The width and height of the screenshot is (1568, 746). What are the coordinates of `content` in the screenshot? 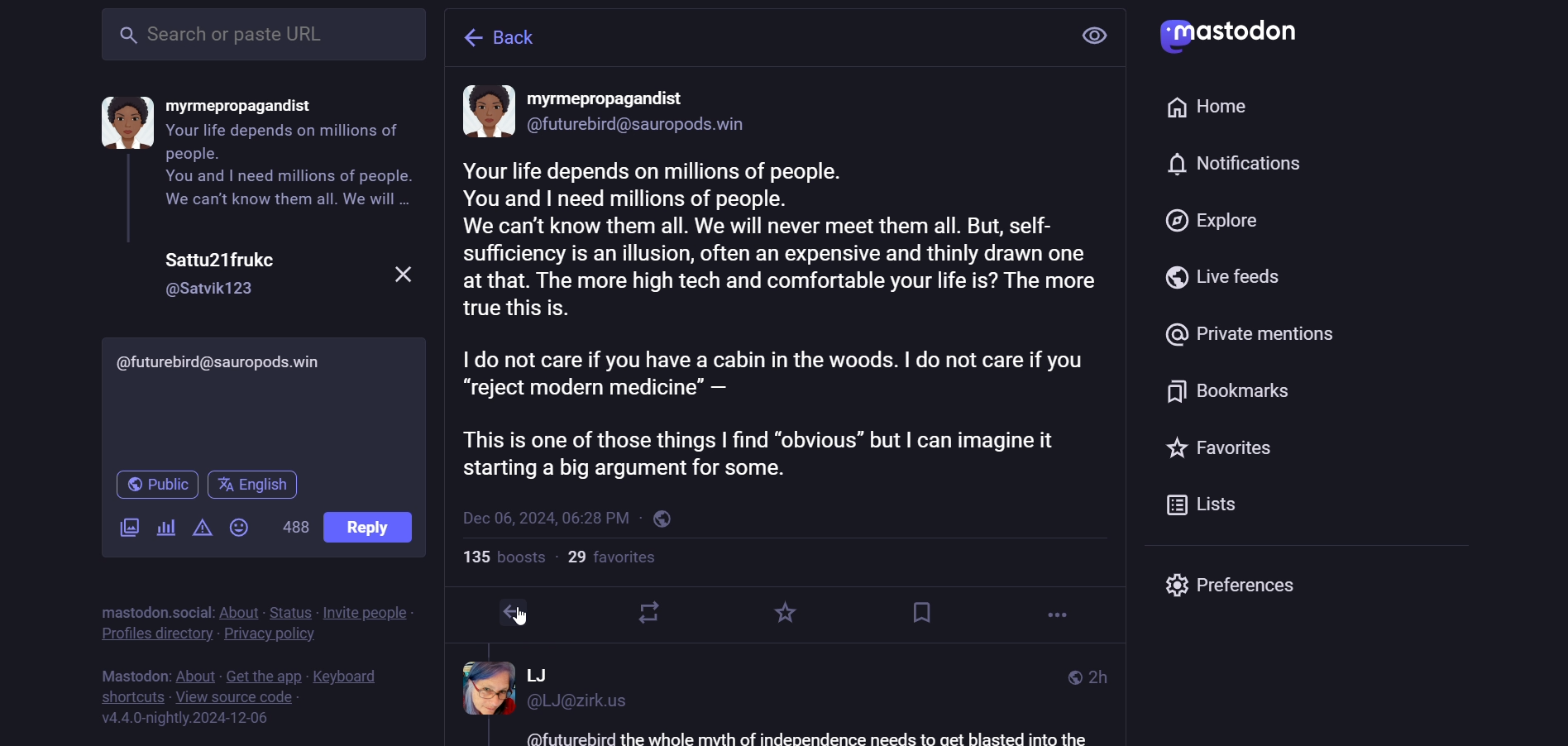 It's located at (782, 320).